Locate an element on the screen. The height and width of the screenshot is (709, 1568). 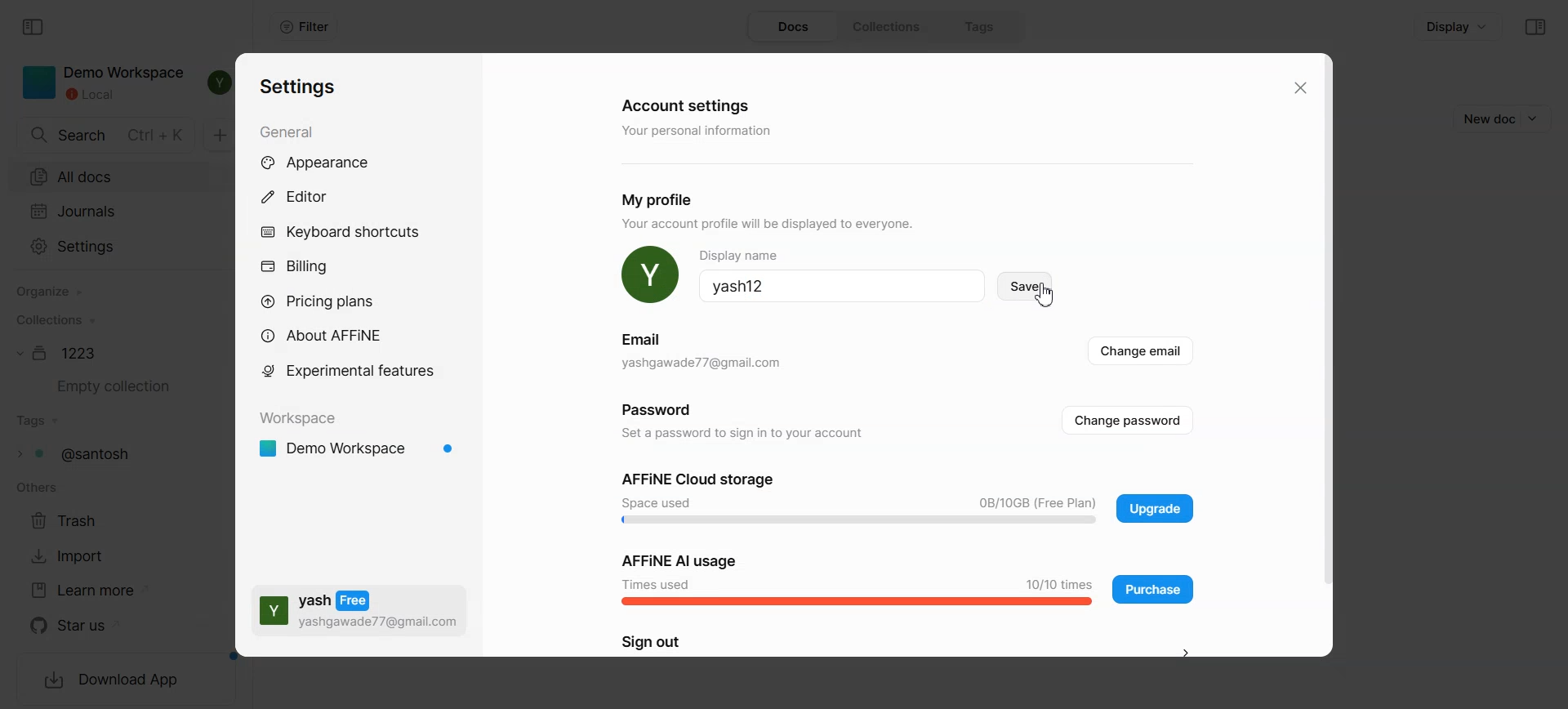
Dropdown box is located at coordinates (1539, 118).